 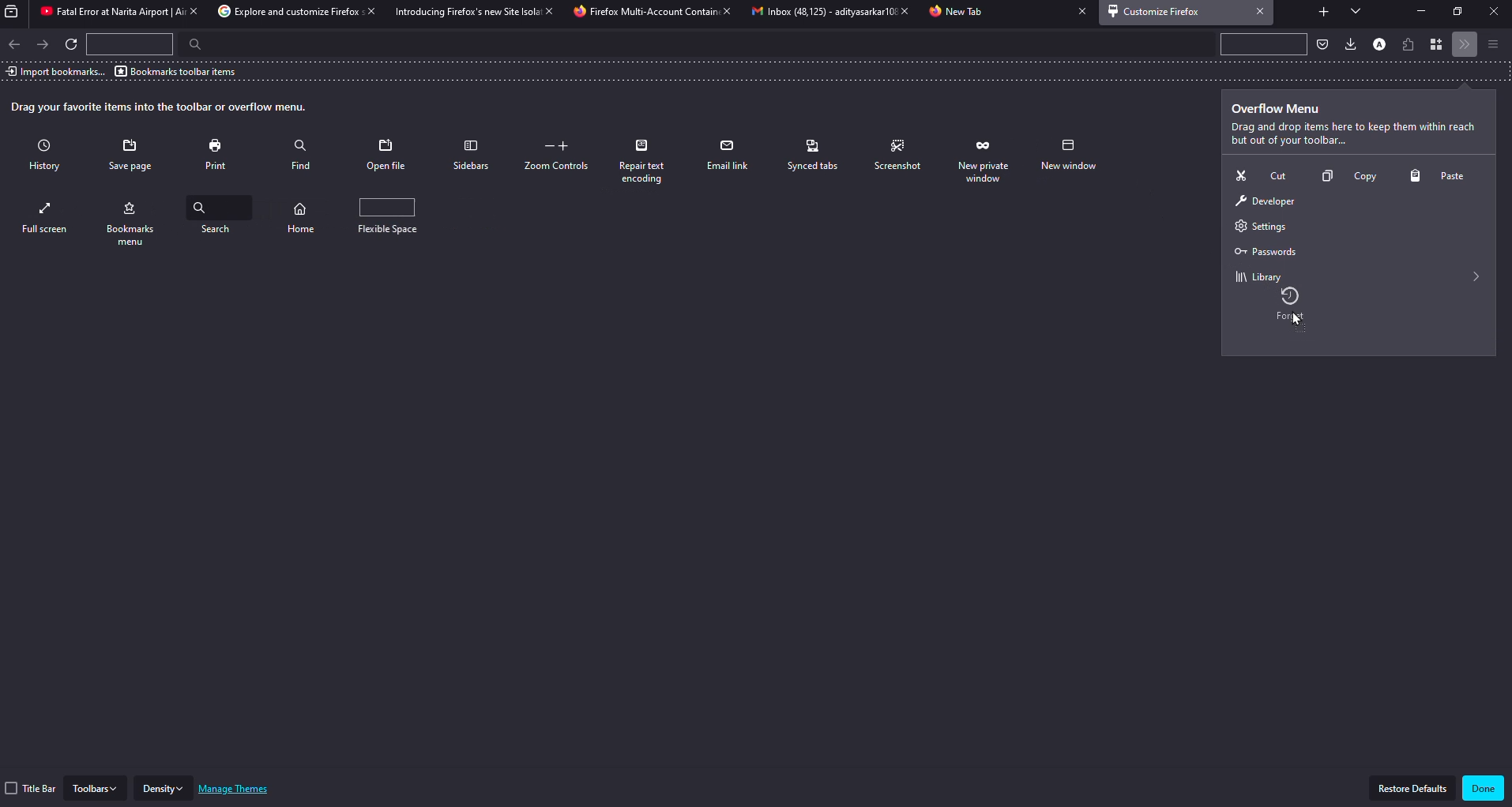 What do you see at coordinates (1279, 109) in the screenshot?
I see `overflow menu` at bounding box center [1279, 109].